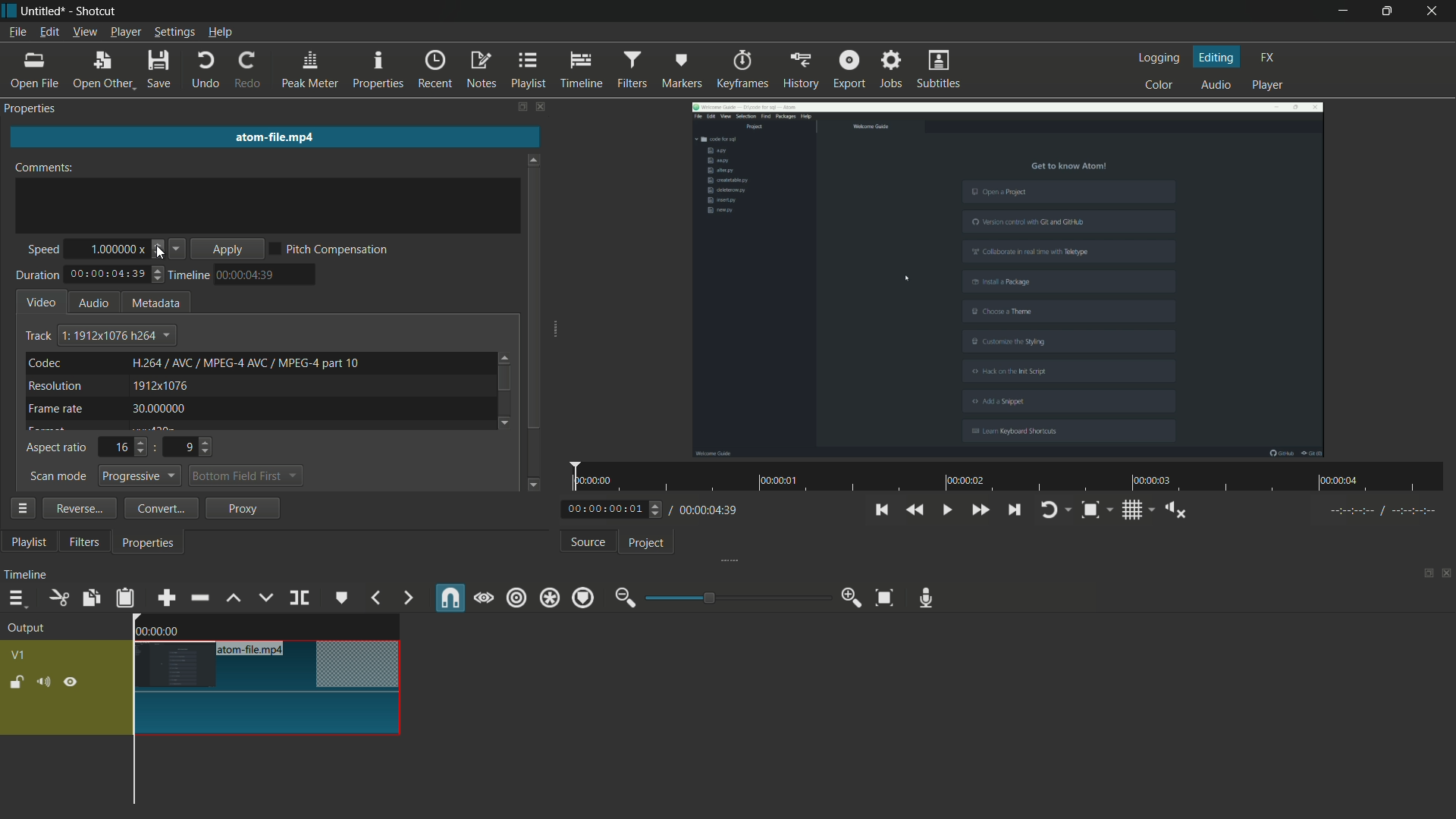 The image size is (1456, 819). What do you see at coordinates (44, 11) in the screenshot?
I see `project name` at bounding box center [44, 11].